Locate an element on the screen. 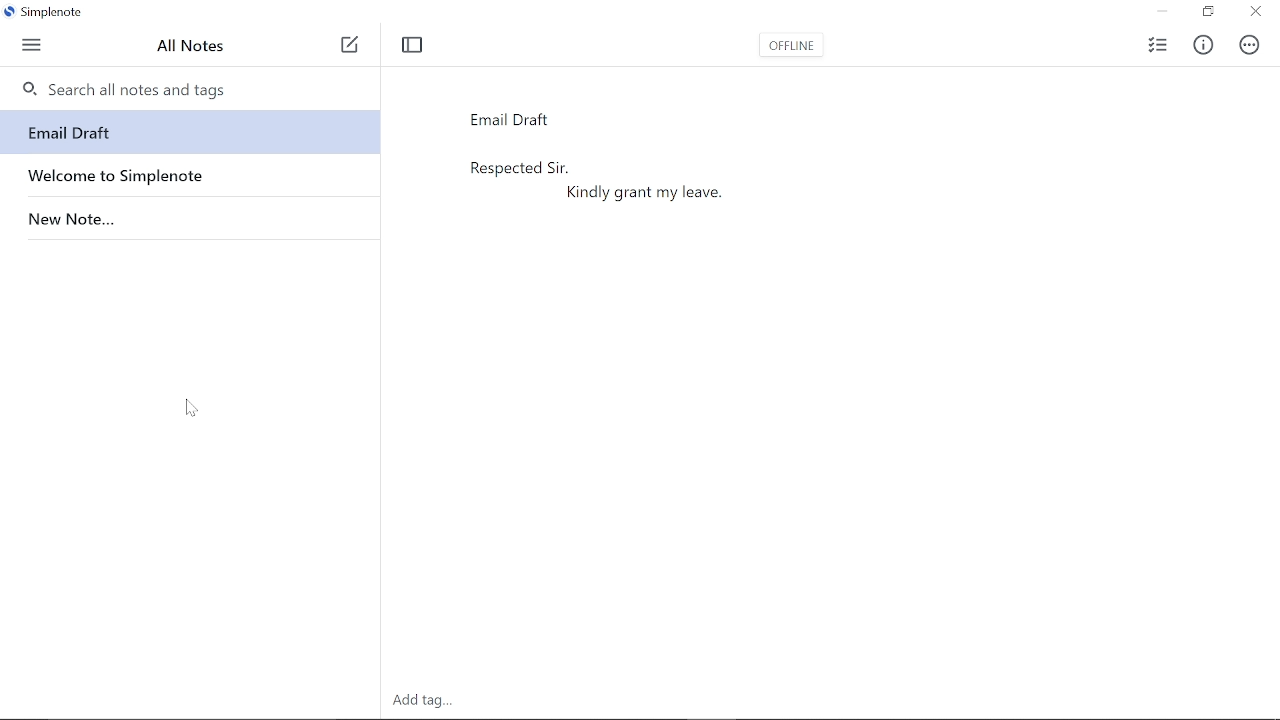 Image resolution: width=1280 pixels, height=720 pixels. Toggle focus mode is located at coordinates (414, 45).